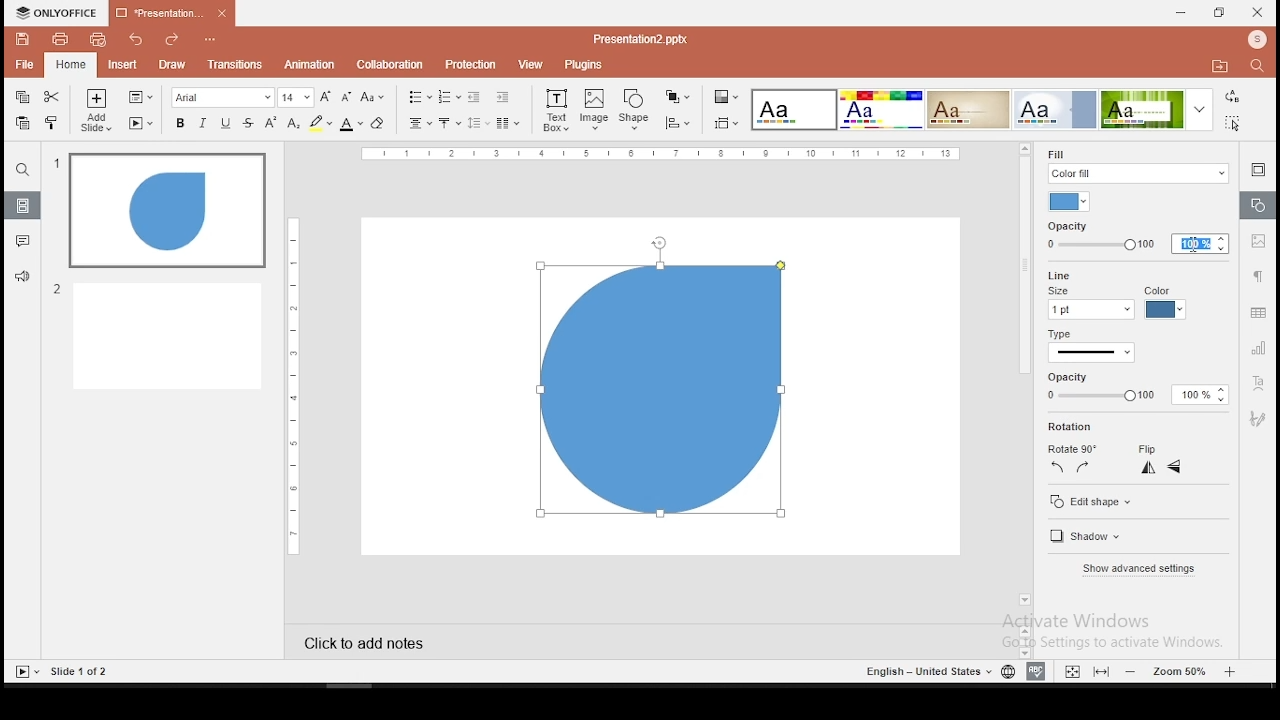 The width and height of the screenshot is (1280, 720). Describe the element at coordinates (223, 98) in the screenshot. I see `font` at that location.